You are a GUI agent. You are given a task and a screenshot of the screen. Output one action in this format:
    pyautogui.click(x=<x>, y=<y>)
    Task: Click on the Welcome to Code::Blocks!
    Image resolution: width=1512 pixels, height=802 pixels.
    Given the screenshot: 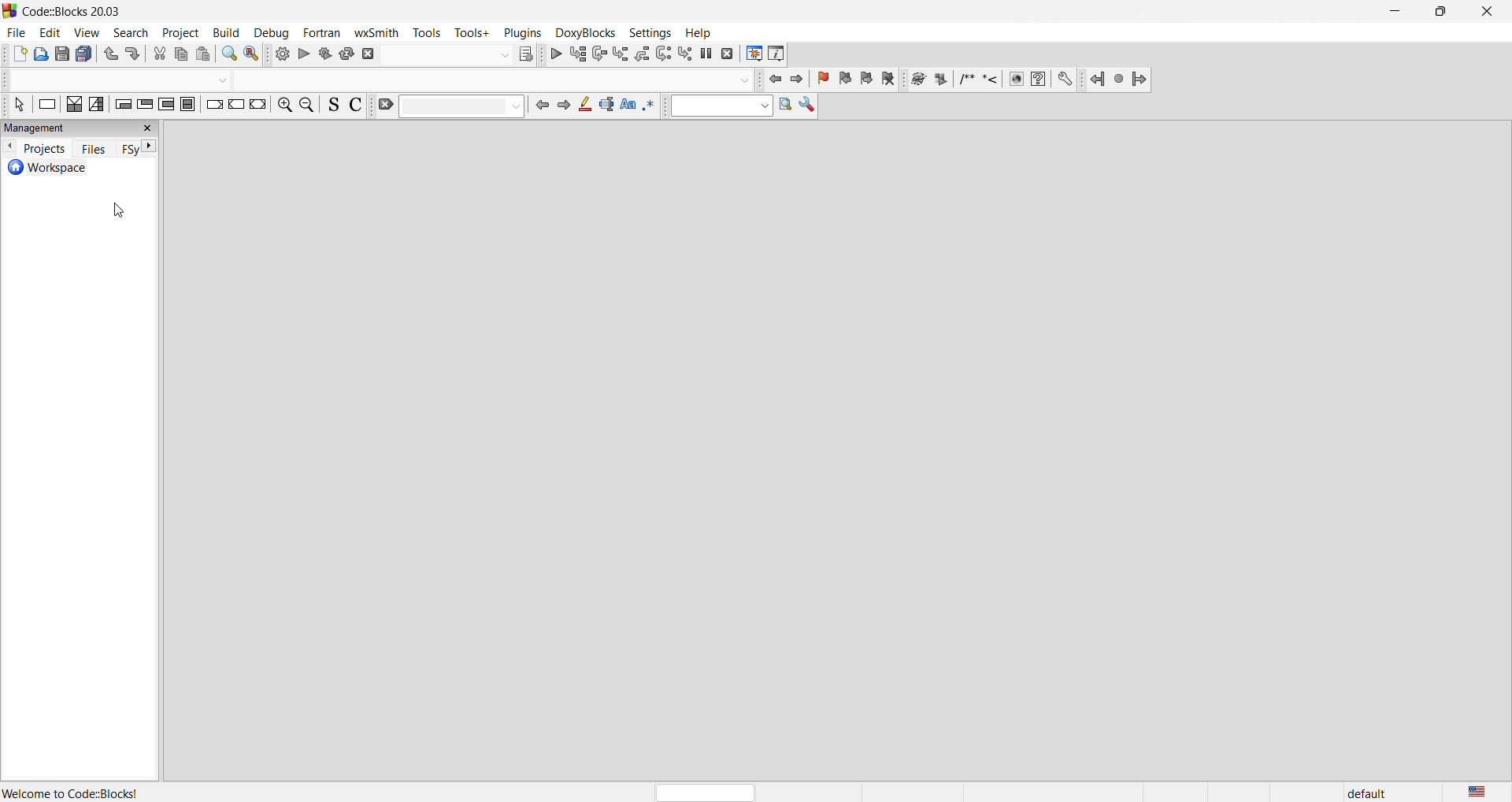 What is the action you would take?
    pyautogui.click(x=72, y=793)
    